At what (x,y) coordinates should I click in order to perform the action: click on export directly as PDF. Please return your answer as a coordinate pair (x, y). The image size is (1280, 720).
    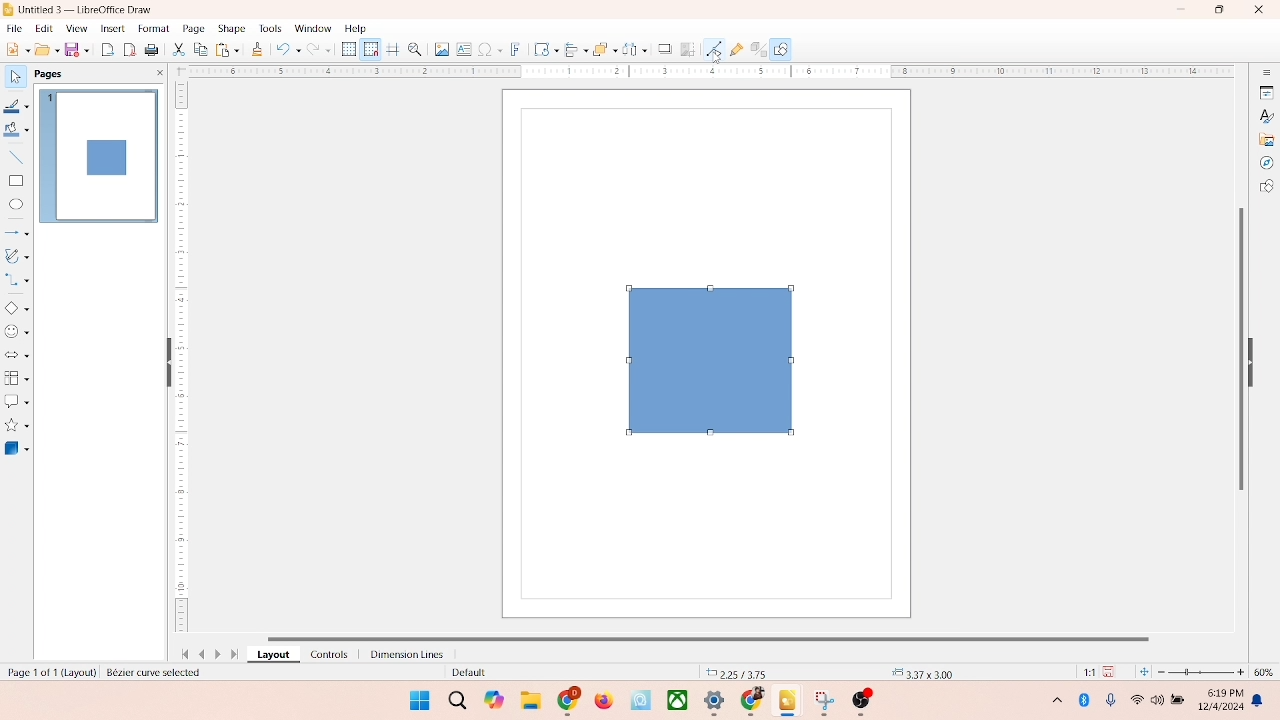
    Looking at the image, I should click on (131, 49).